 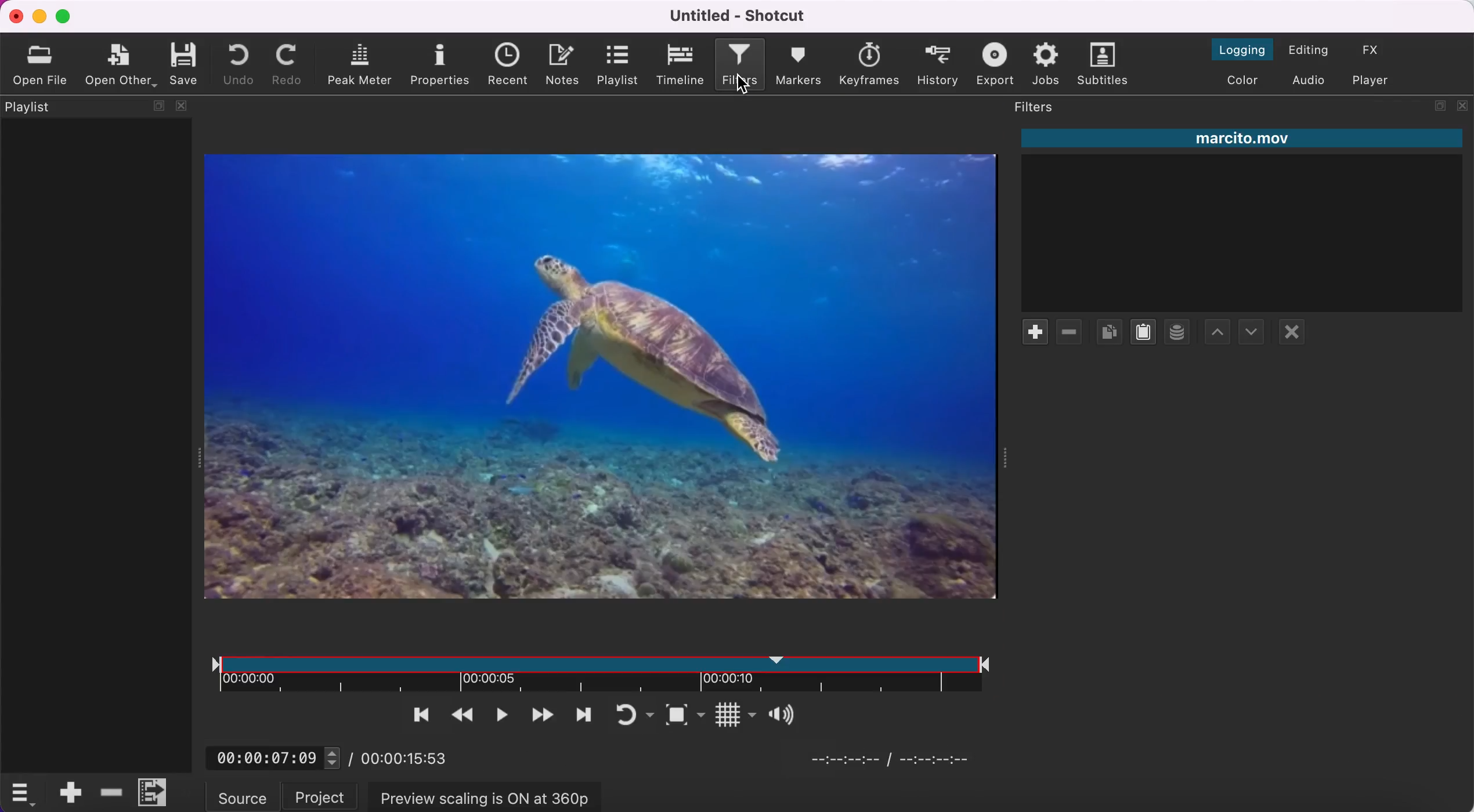 What do you see at coordinates (591, 670) in the screenshot?
I see `clip duration` at bounding box center [591, 670].